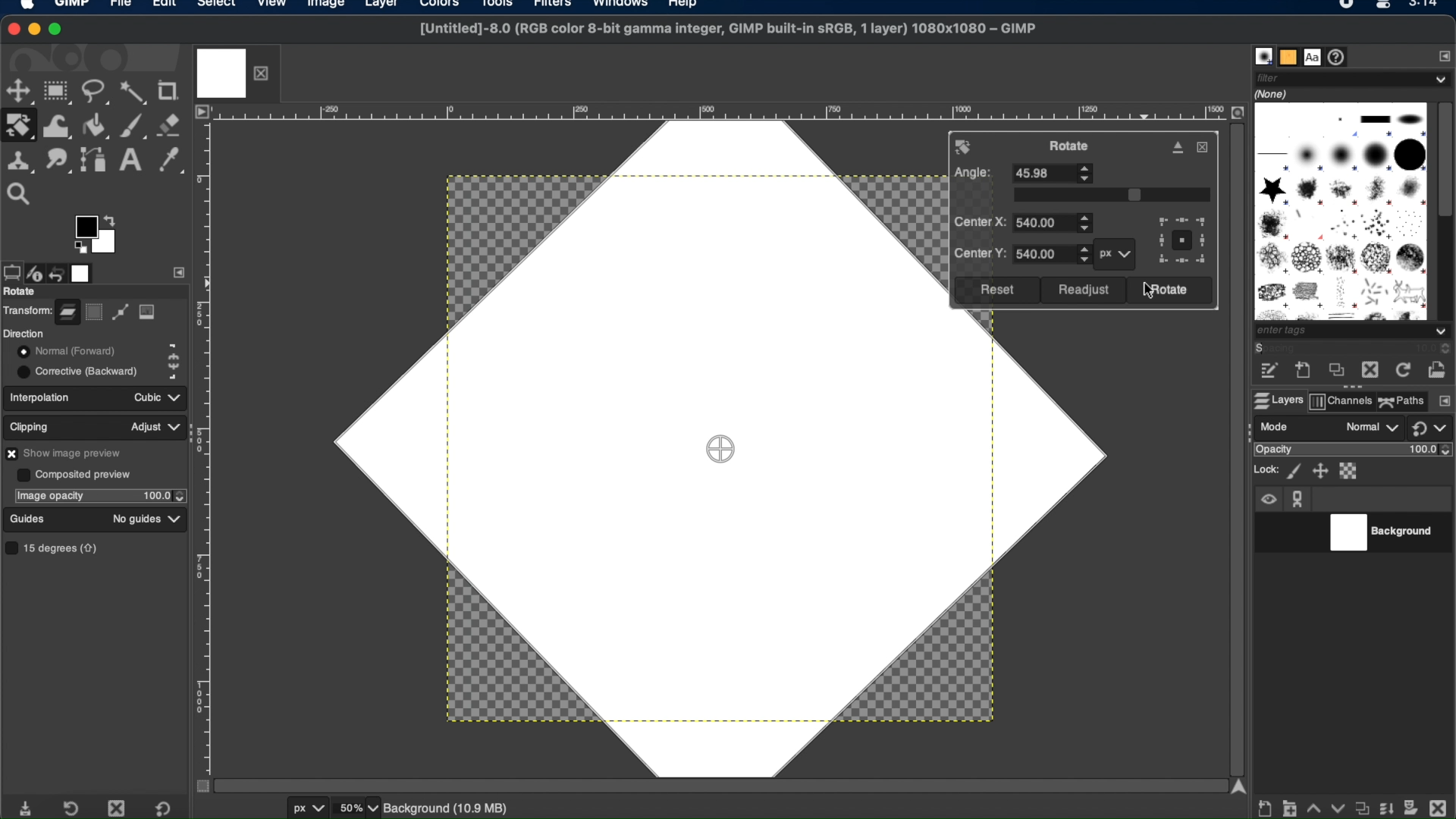  I want to click on scroll bar, so click(715, 784).